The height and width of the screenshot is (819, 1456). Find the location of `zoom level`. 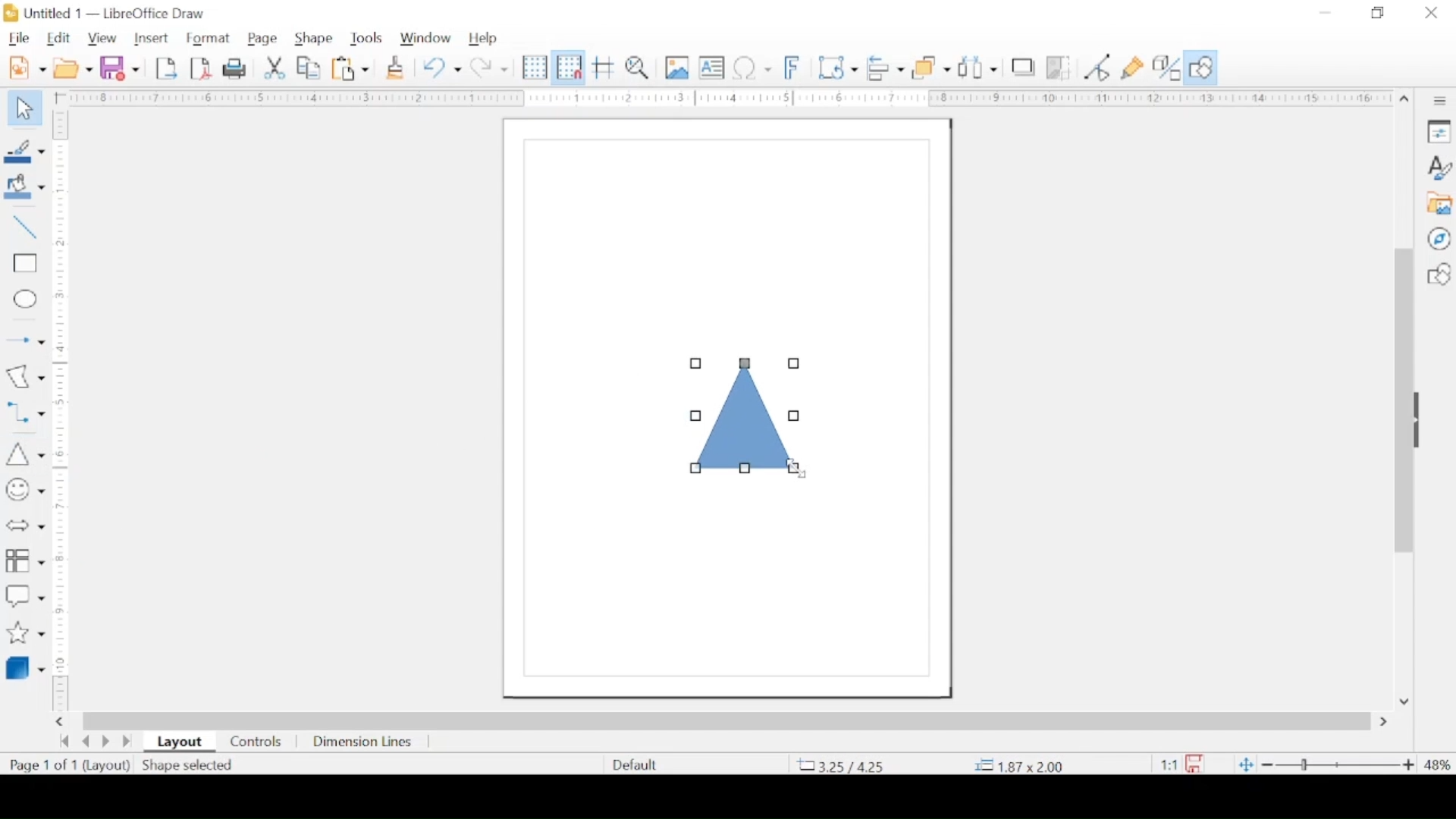

zoom level is located at coordinates (1438, 764).